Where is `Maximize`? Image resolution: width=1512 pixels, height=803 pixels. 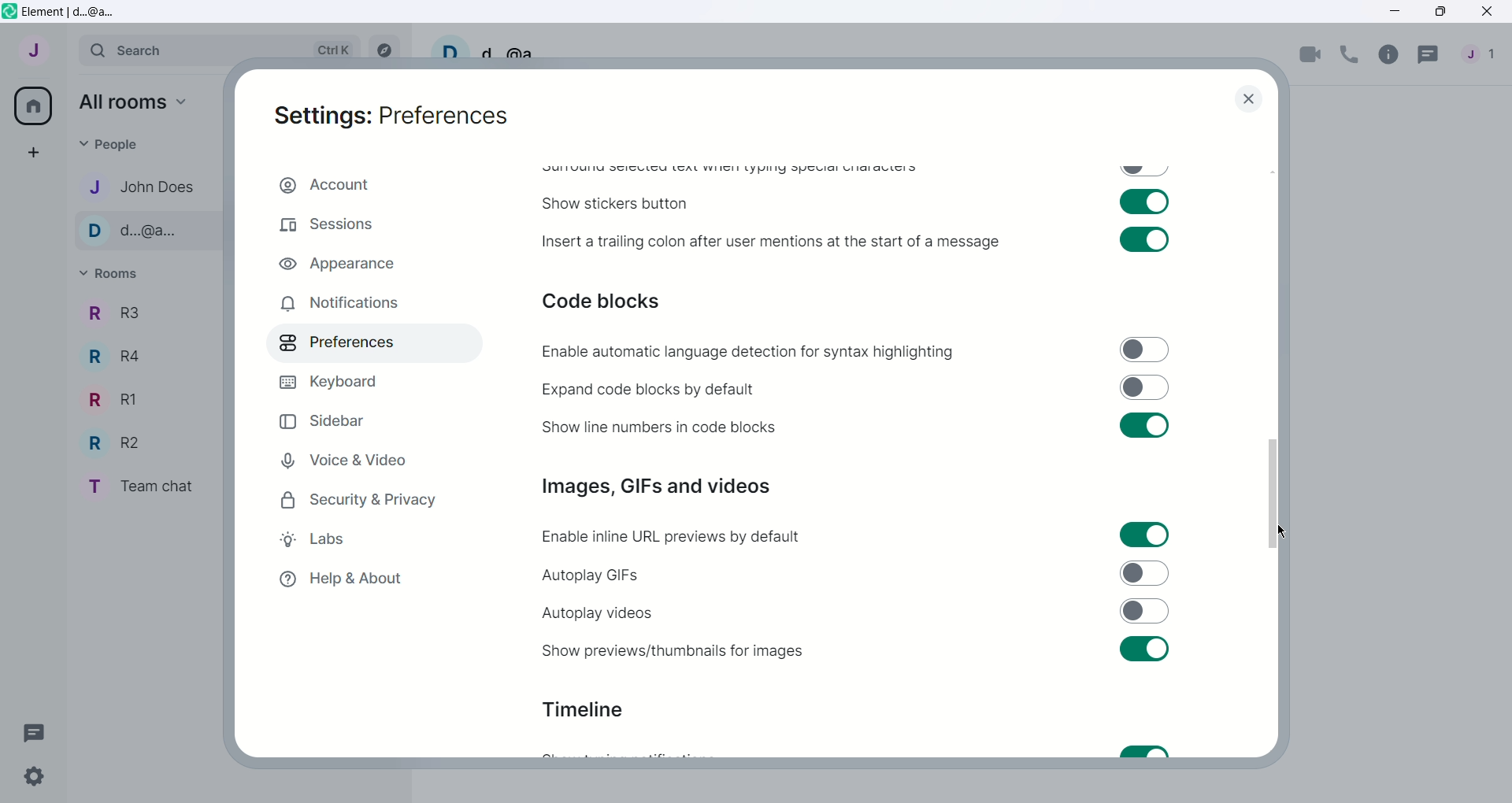
Maximize is located at coordinates (1443, 11).